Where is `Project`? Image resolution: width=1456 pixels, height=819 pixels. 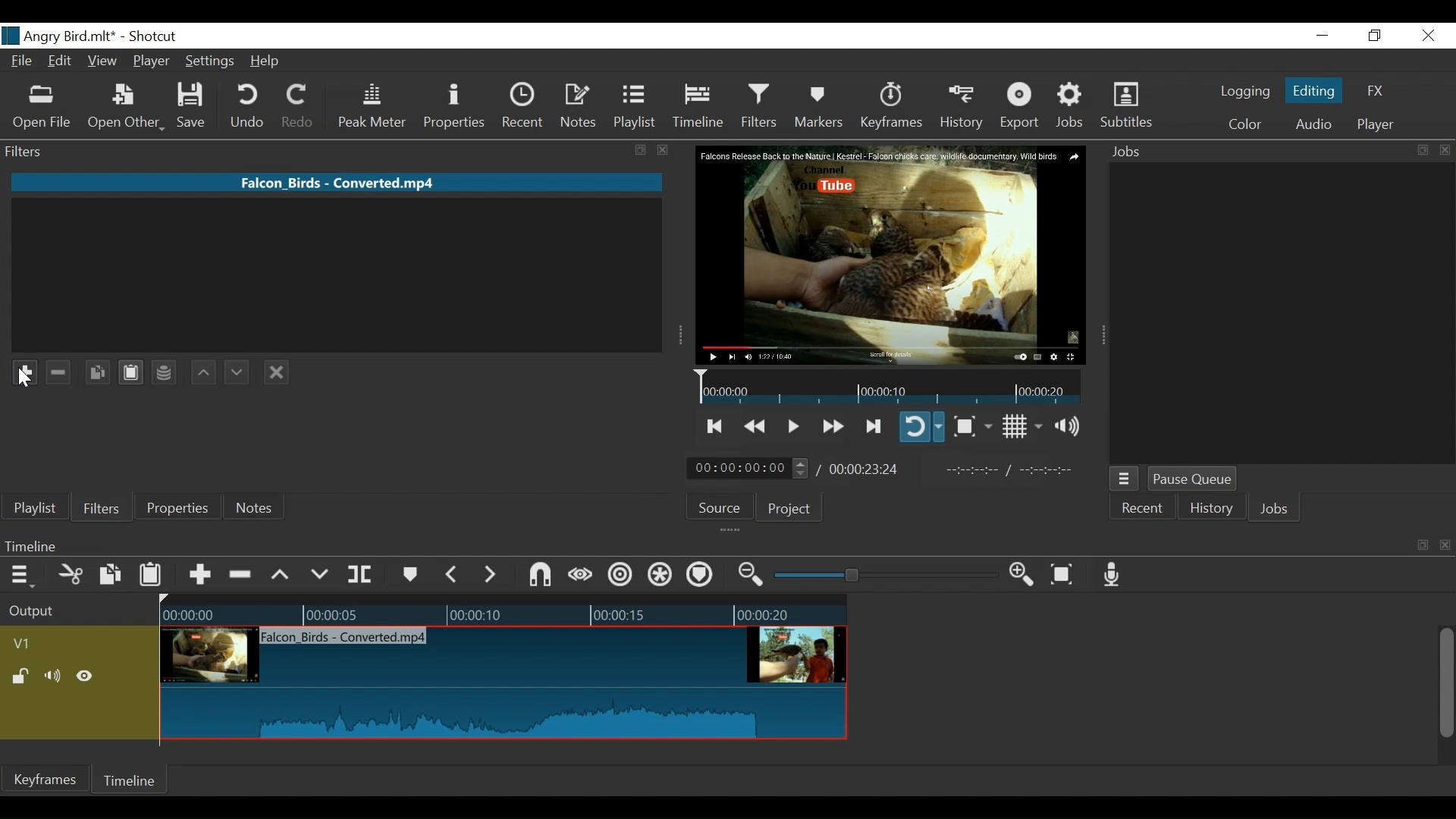 Project is located at coordinates (789, 508).